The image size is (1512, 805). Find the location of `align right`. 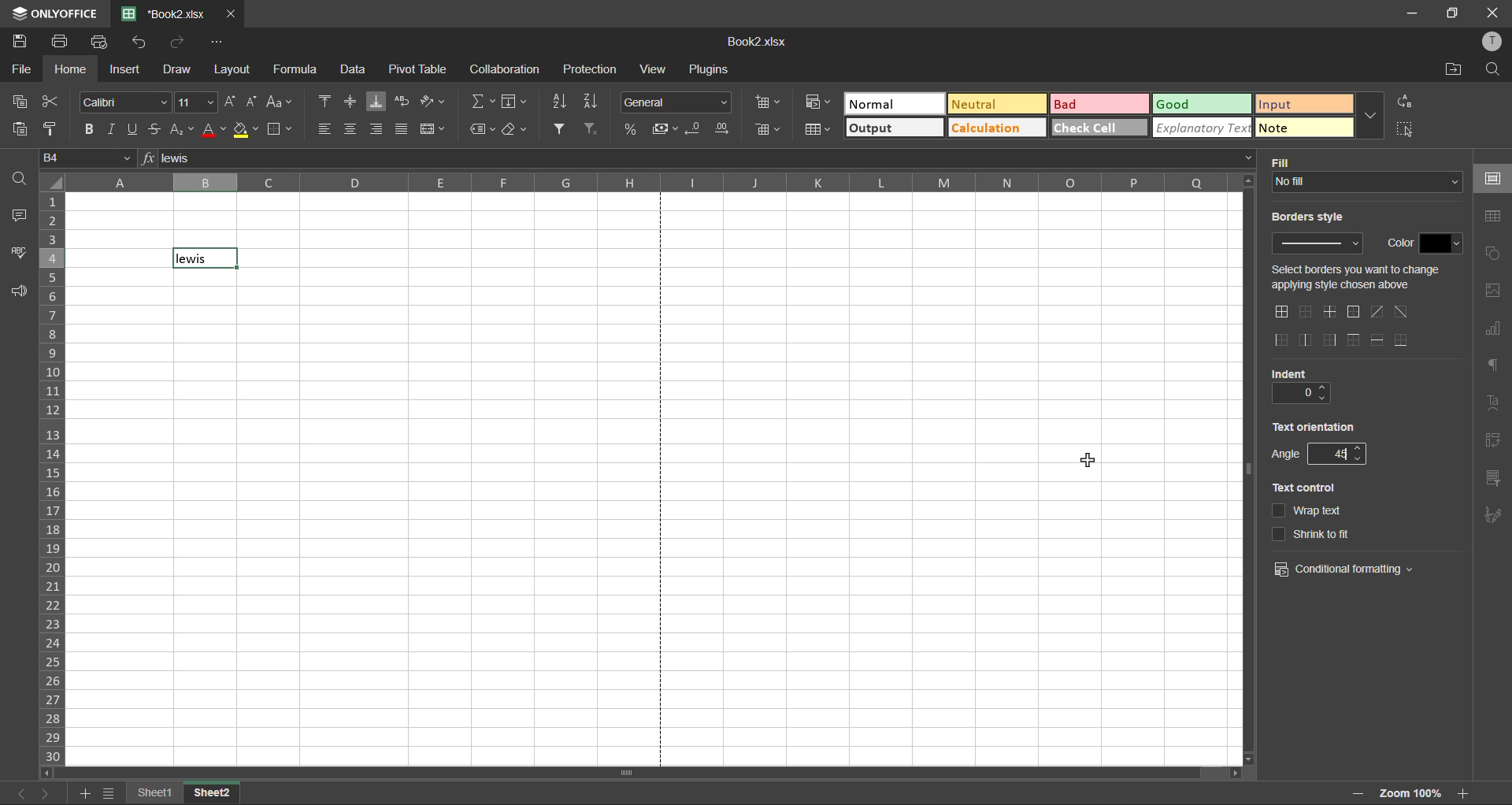

align right is located at coordinates (374, 128).